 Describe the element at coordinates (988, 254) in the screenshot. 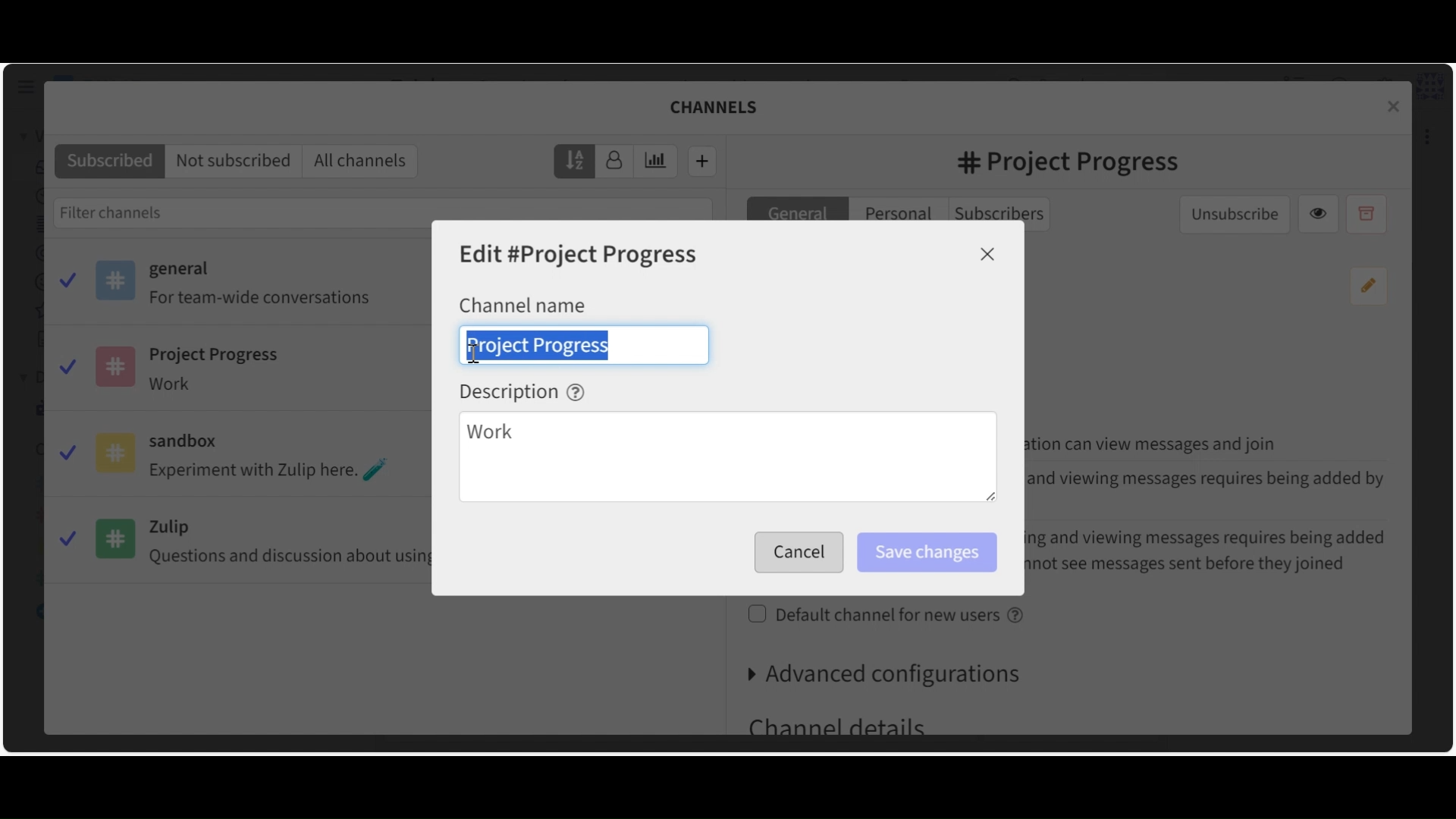

I see `Close` at that location.